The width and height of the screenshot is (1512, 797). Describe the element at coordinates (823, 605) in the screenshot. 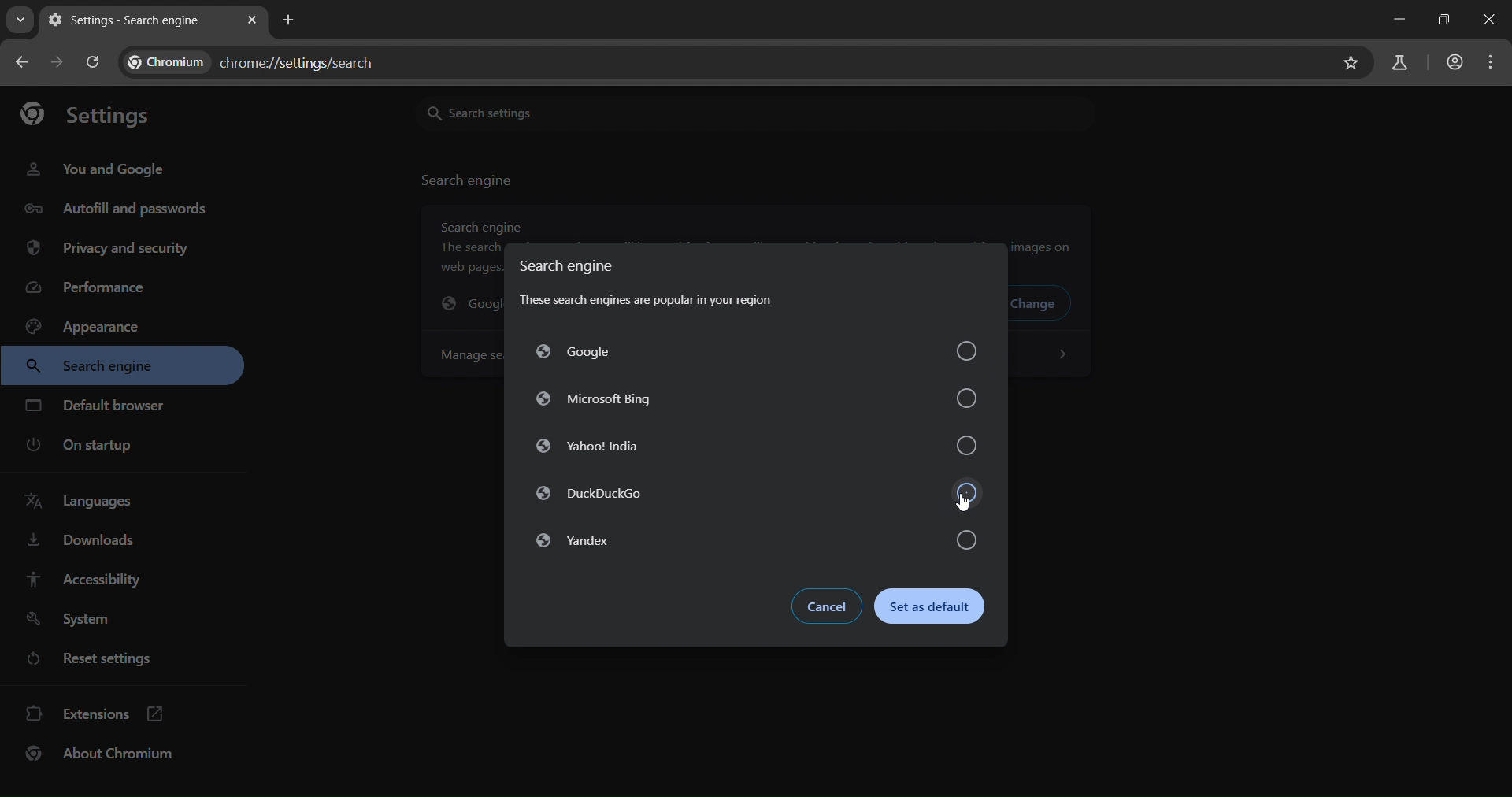

I see `cancel` at that location.